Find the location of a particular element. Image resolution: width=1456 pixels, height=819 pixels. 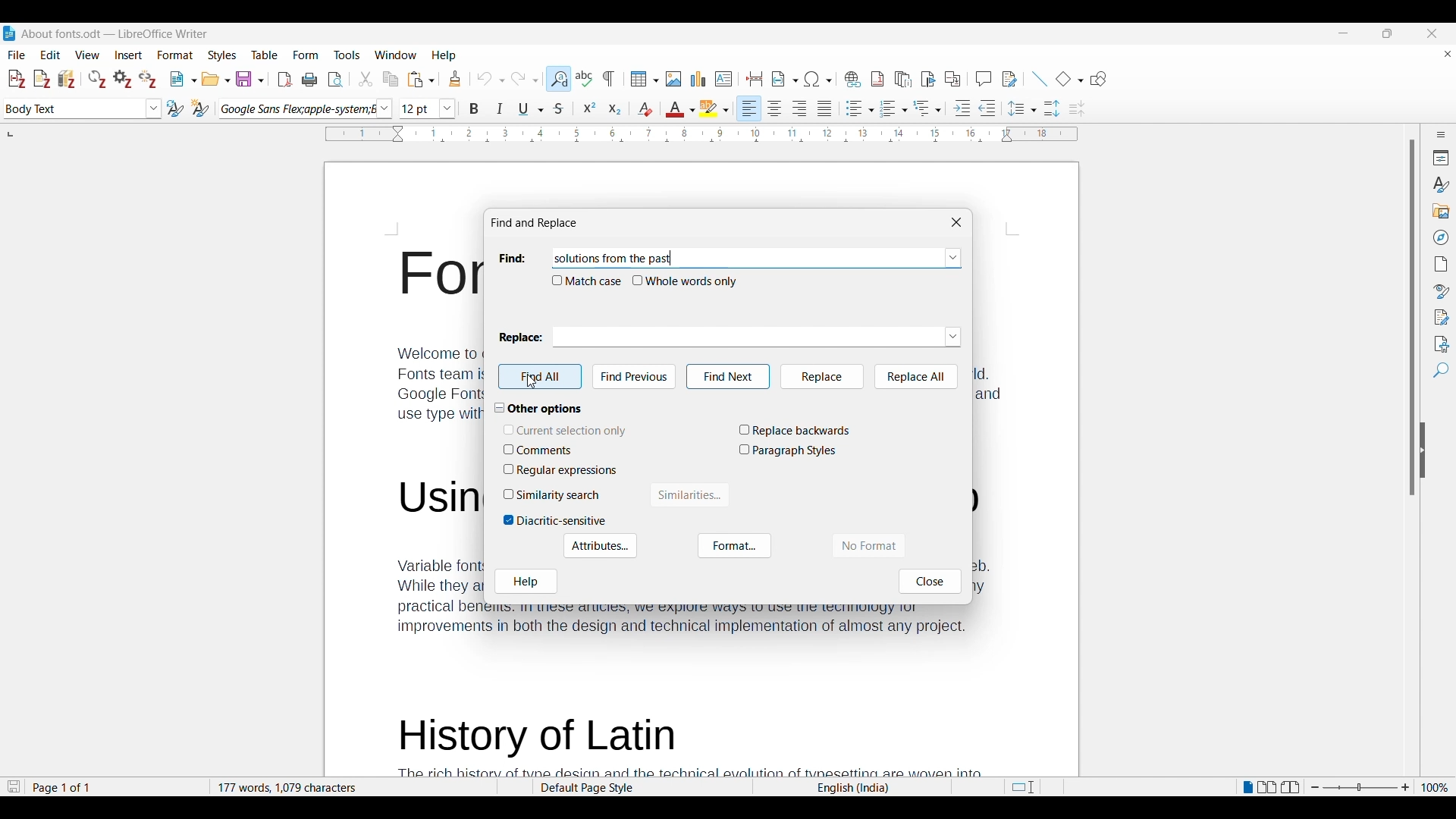

Redo is located at coordinates (524, 77).